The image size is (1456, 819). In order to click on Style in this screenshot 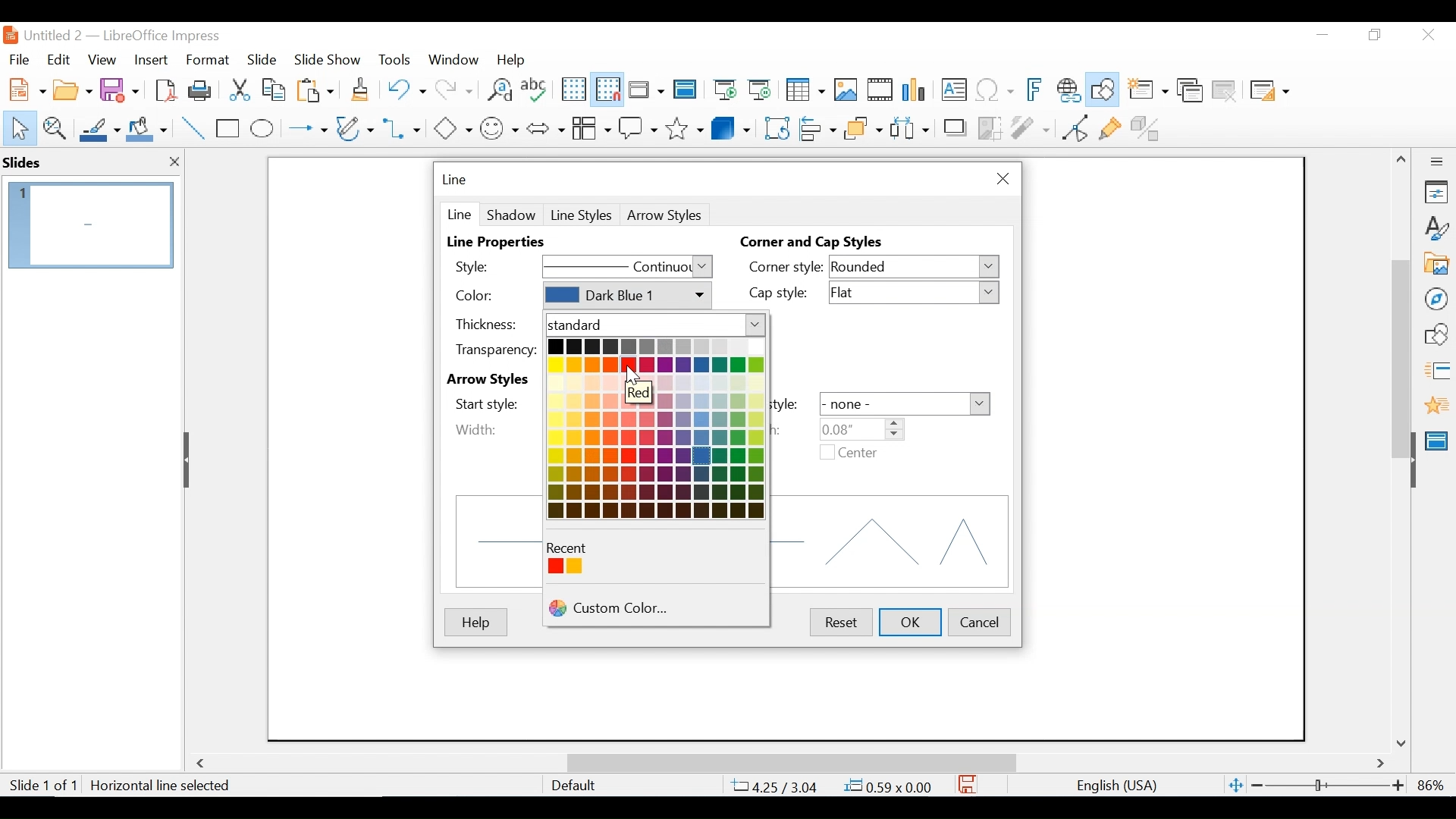, I will do `click(488, 265)`.